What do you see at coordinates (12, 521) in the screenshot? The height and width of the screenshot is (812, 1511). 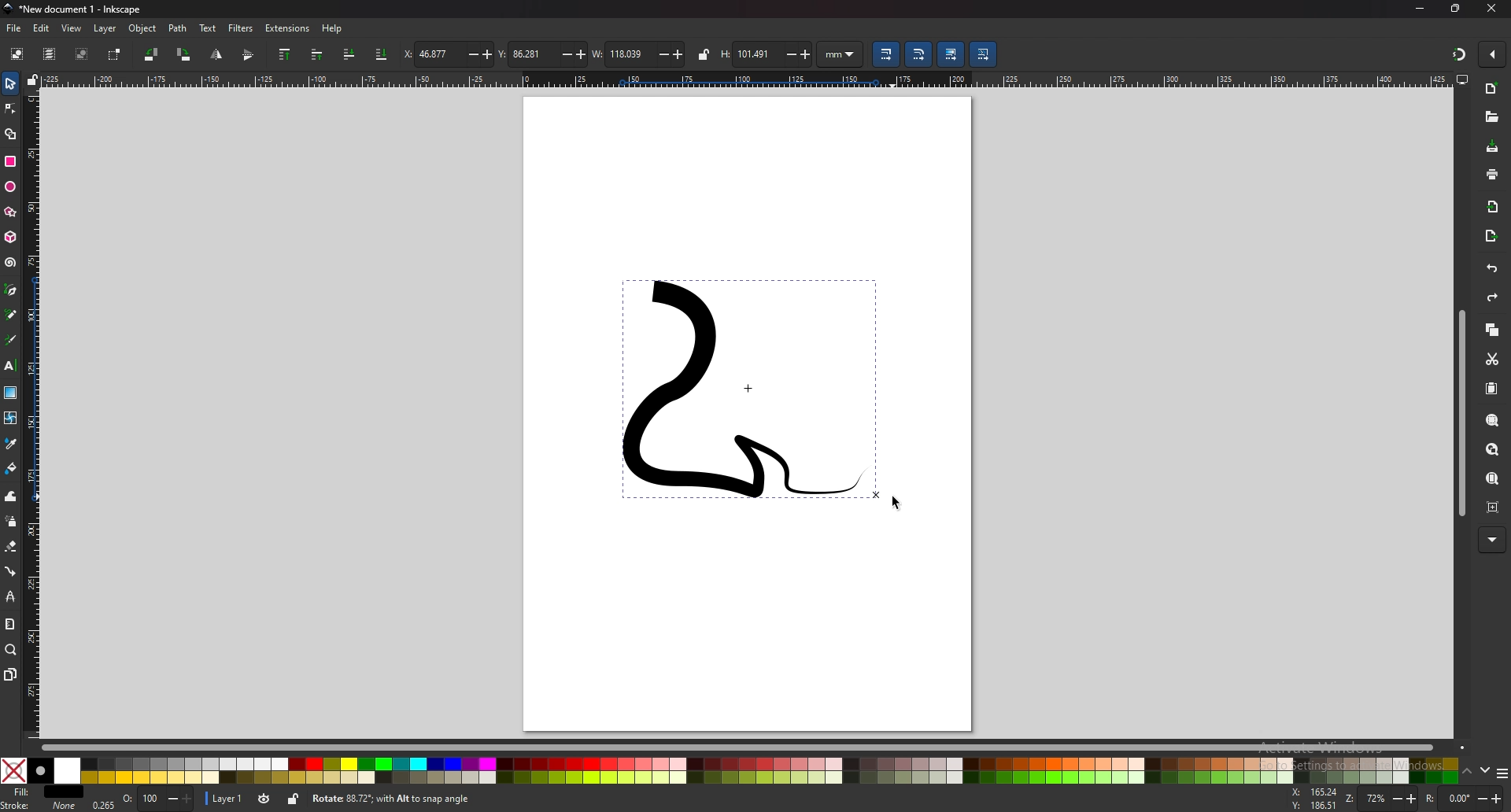 I see `spray` at bounding box center [12, 521].